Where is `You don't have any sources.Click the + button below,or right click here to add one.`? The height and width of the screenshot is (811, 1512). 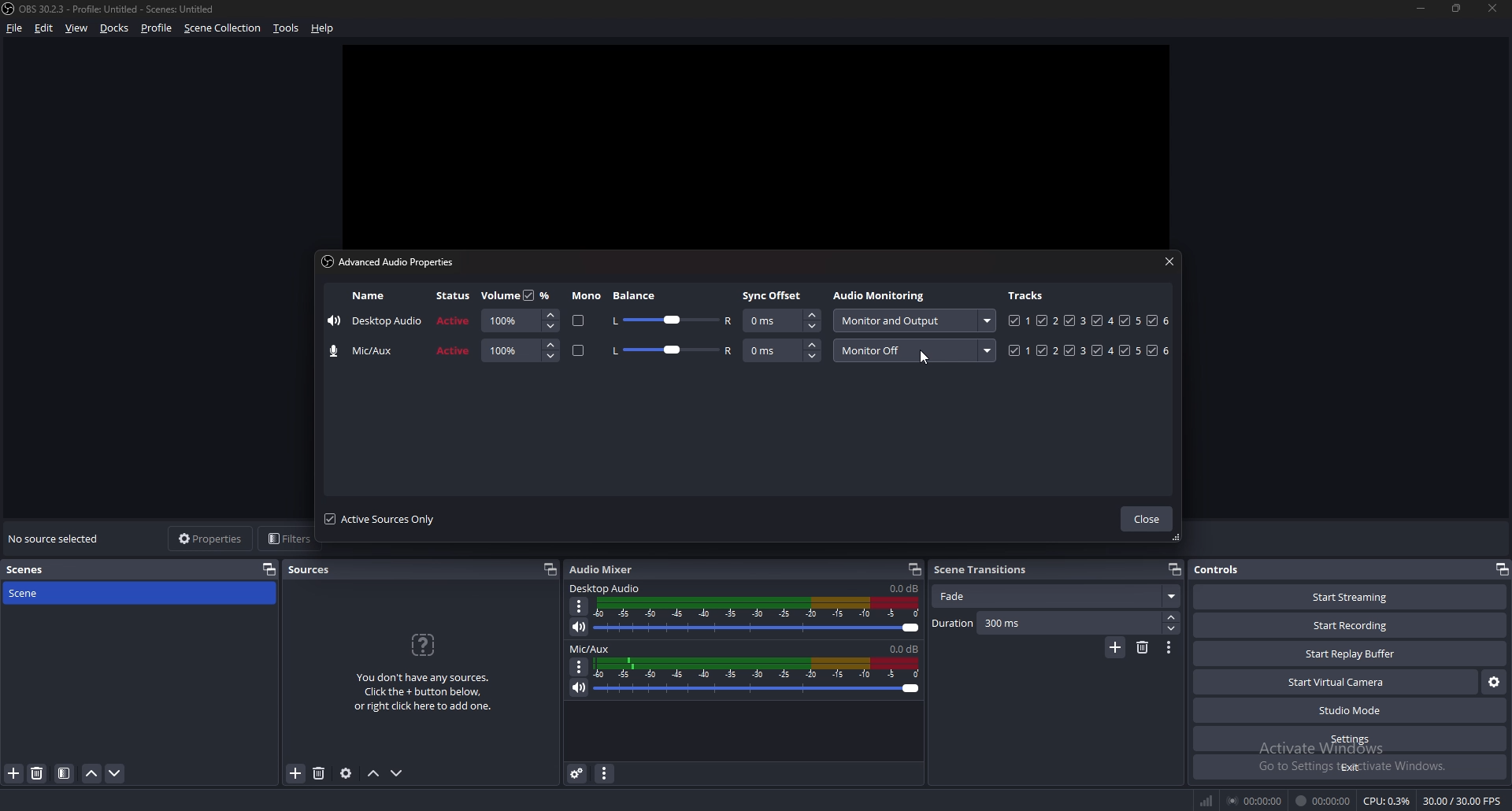
You don't have any sources.Click the + button below,or right click here to add one. is located at coordinates (423, 694).